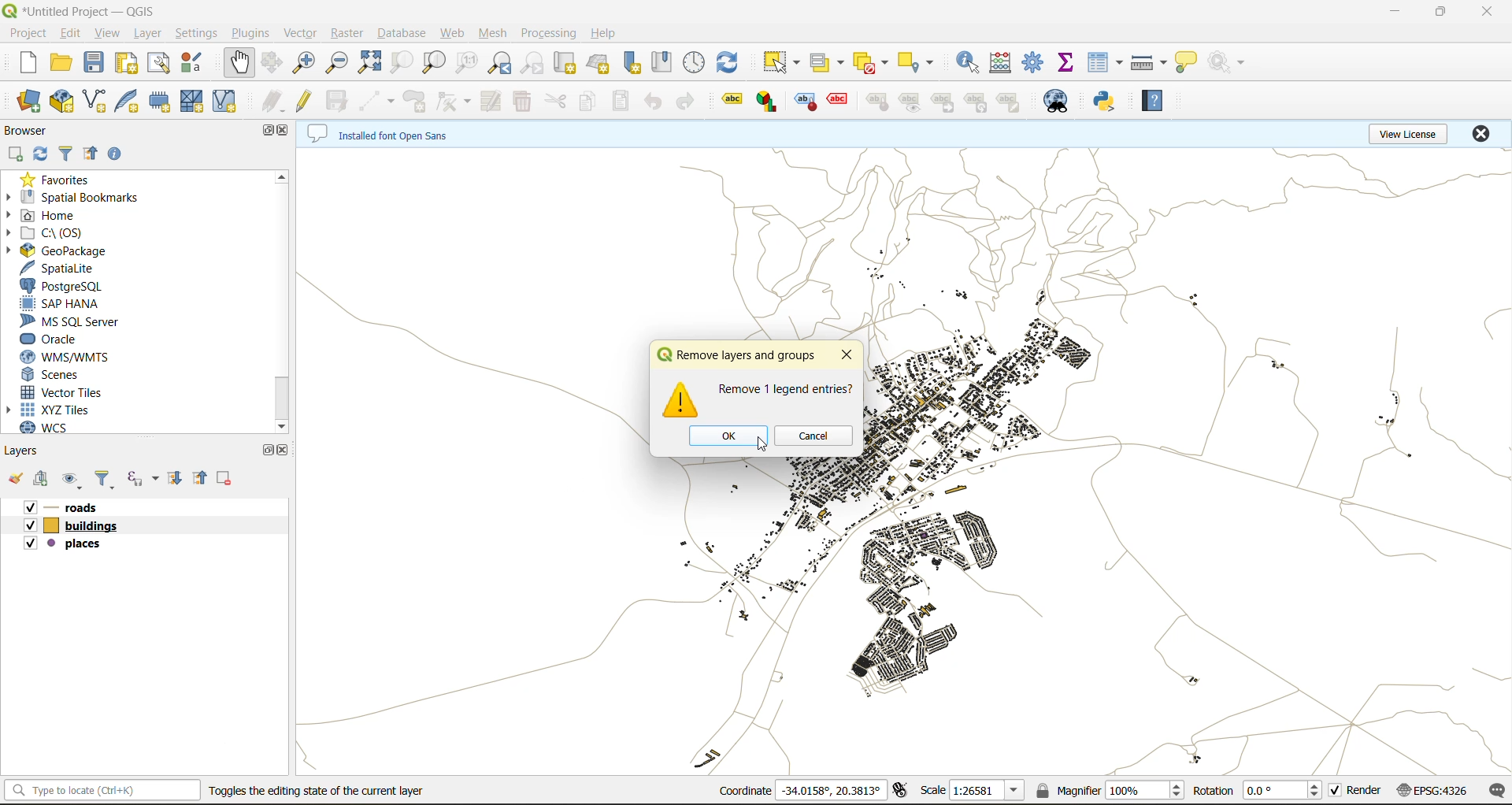  What do you see at coordinates (967, 67) in the screenshot?
I see `indentify features` at bounding box center [967, 67].